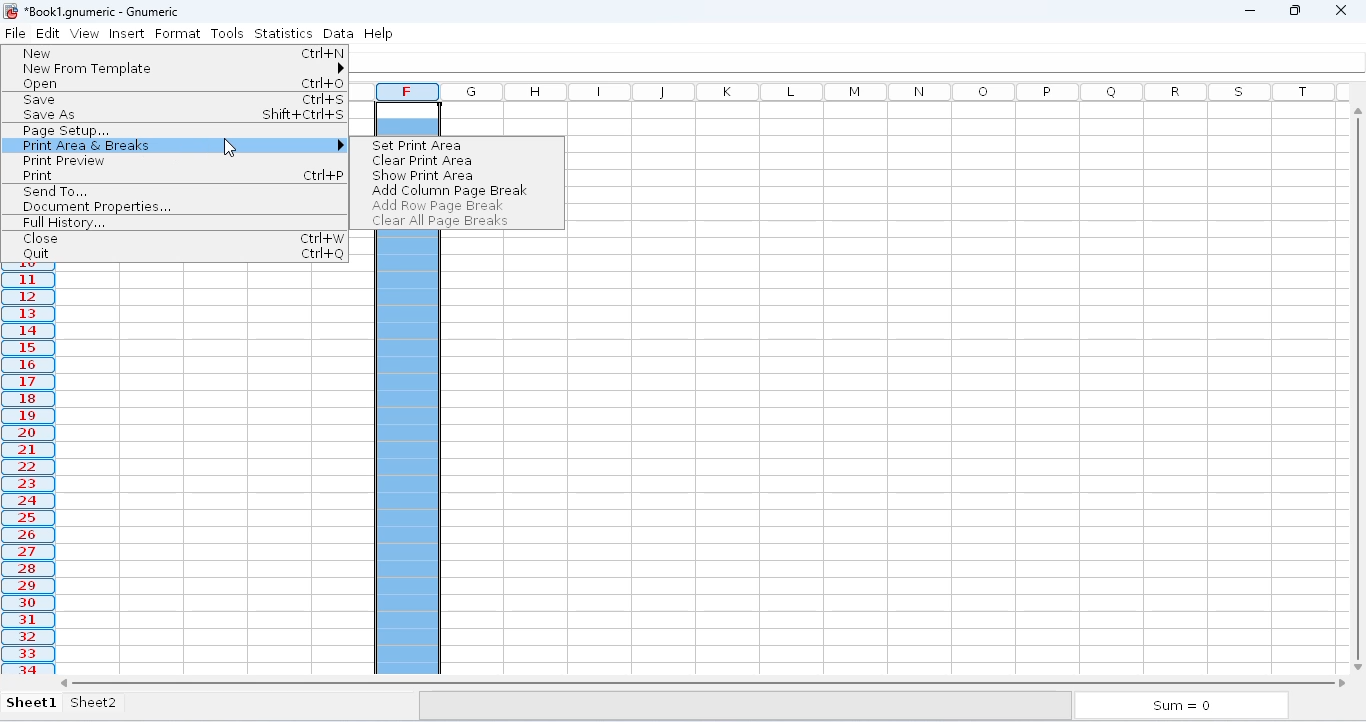  Describe the element at coordinates (440, 222) in the screenshot. I see `clear all page breaks` at that location.